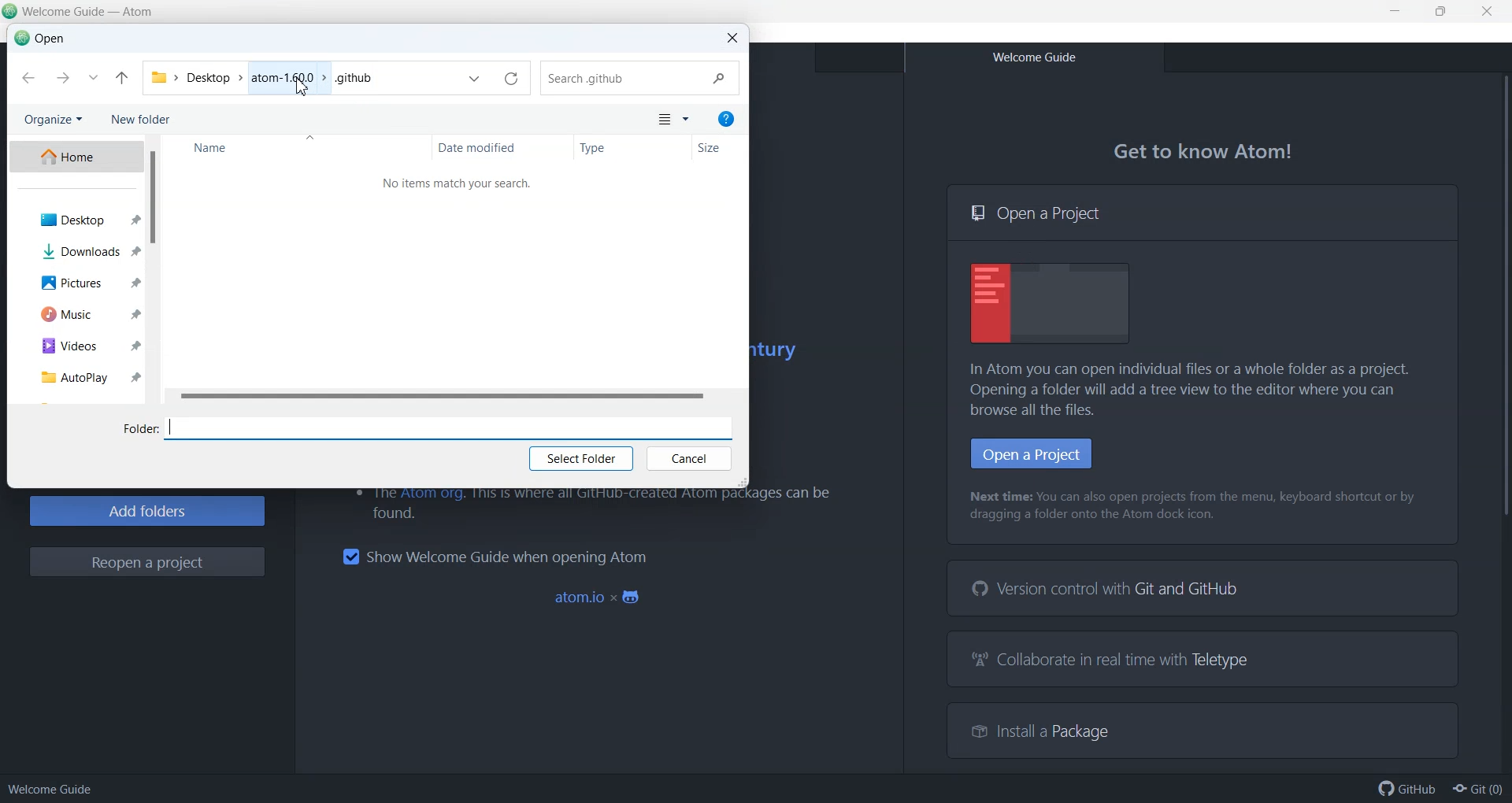 This screenshot has height=803, width=1512. What do you see at coordinates (93, 79) in the screenshot?
I see `Recent Location` at bounding box center [93, 79].